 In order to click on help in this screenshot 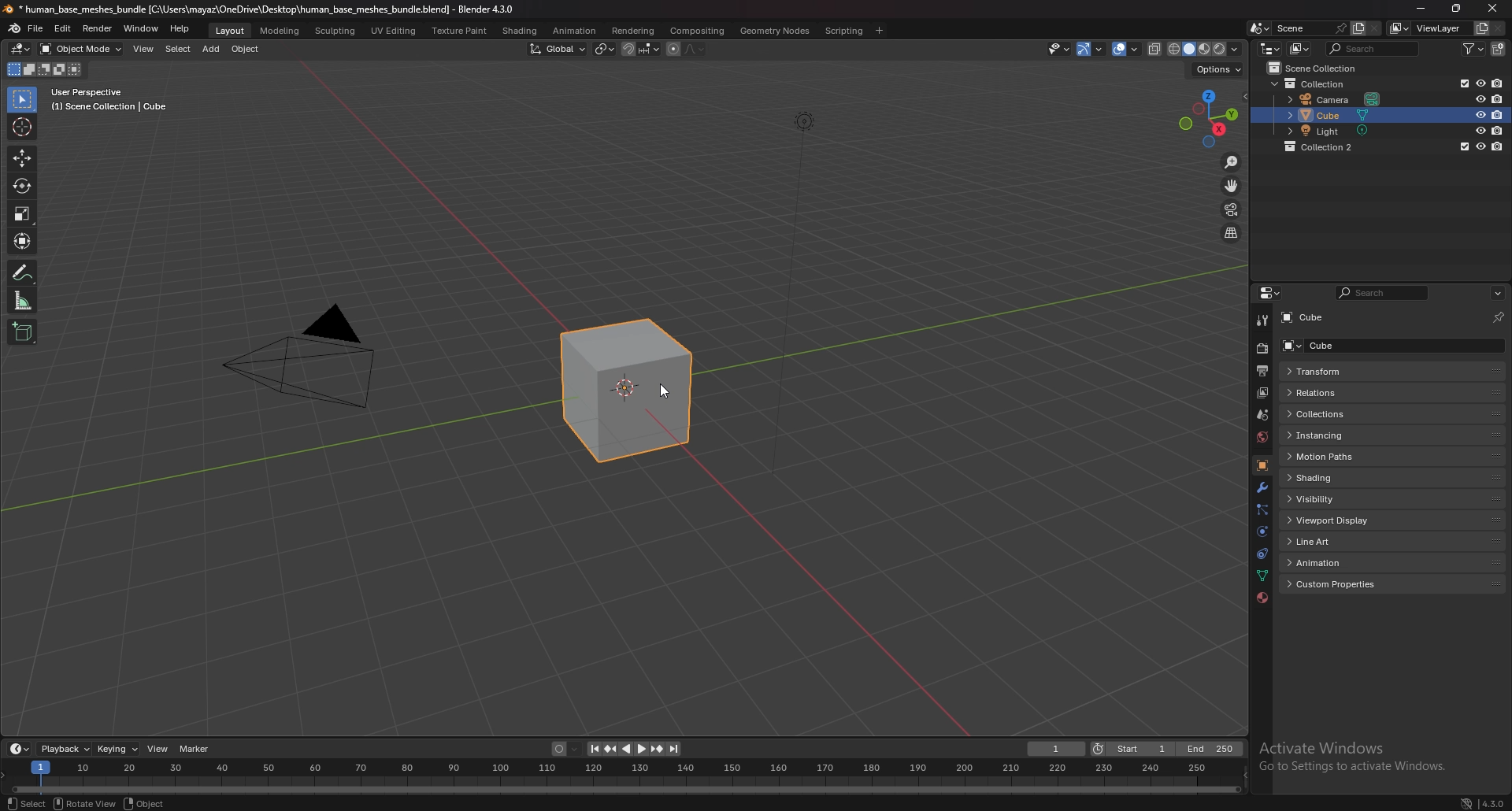, I will do `click(180, 28)`.